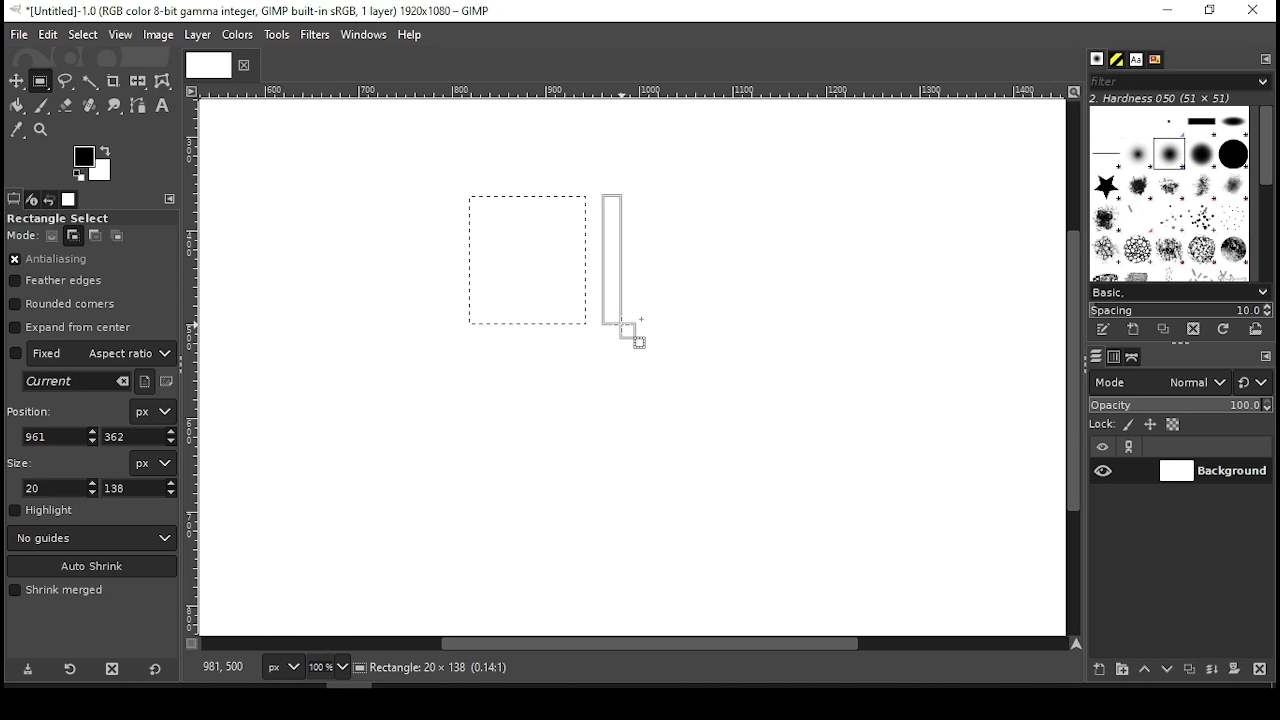  I want to click on new active selection, so click(624, 271).